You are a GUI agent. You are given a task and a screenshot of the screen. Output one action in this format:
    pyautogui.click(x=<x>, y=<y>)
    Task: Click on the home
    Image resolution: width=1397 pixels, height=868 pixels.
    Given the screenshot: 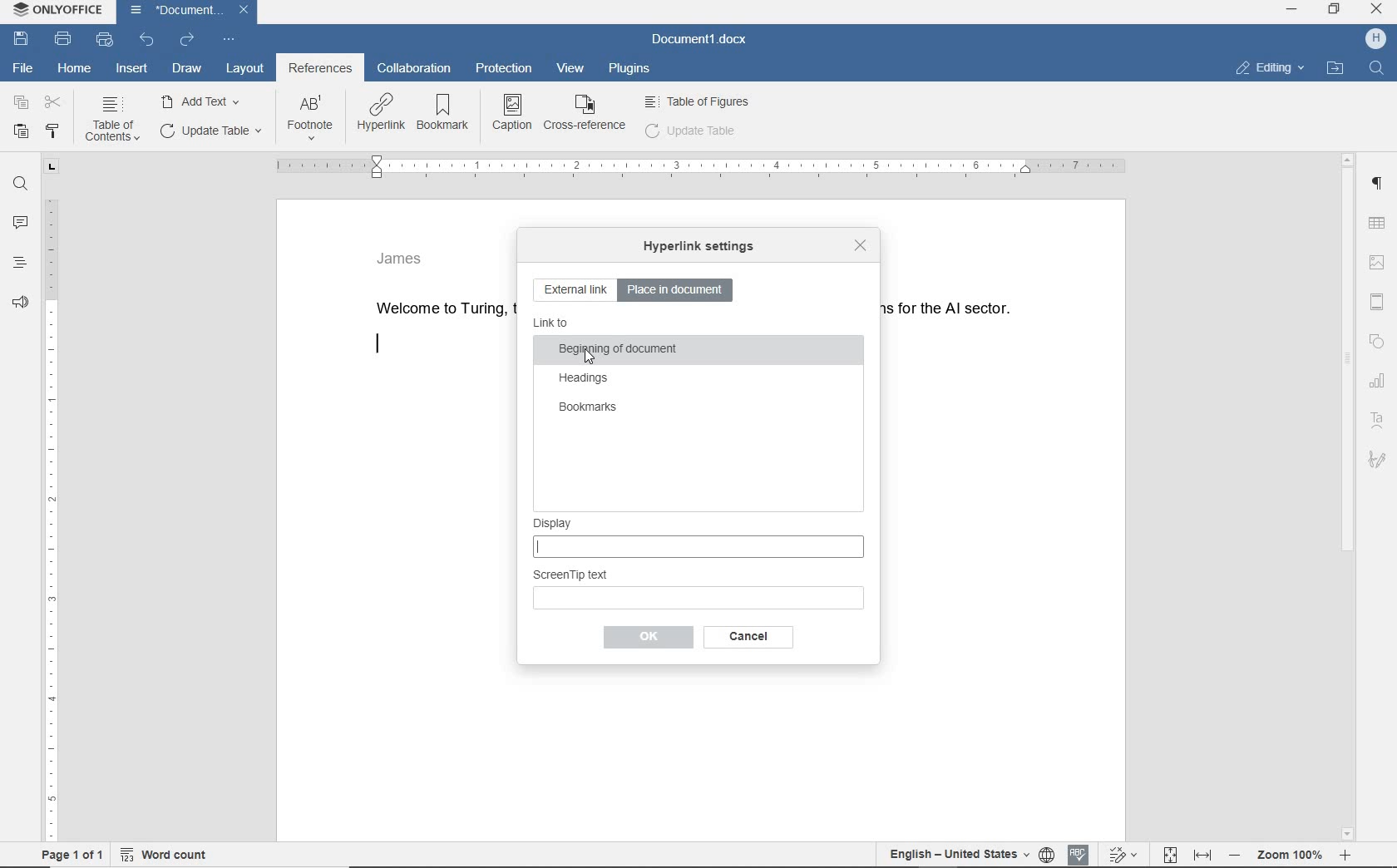 What is the action you would take?
    pyautogui.click(x=74, y=69)
    